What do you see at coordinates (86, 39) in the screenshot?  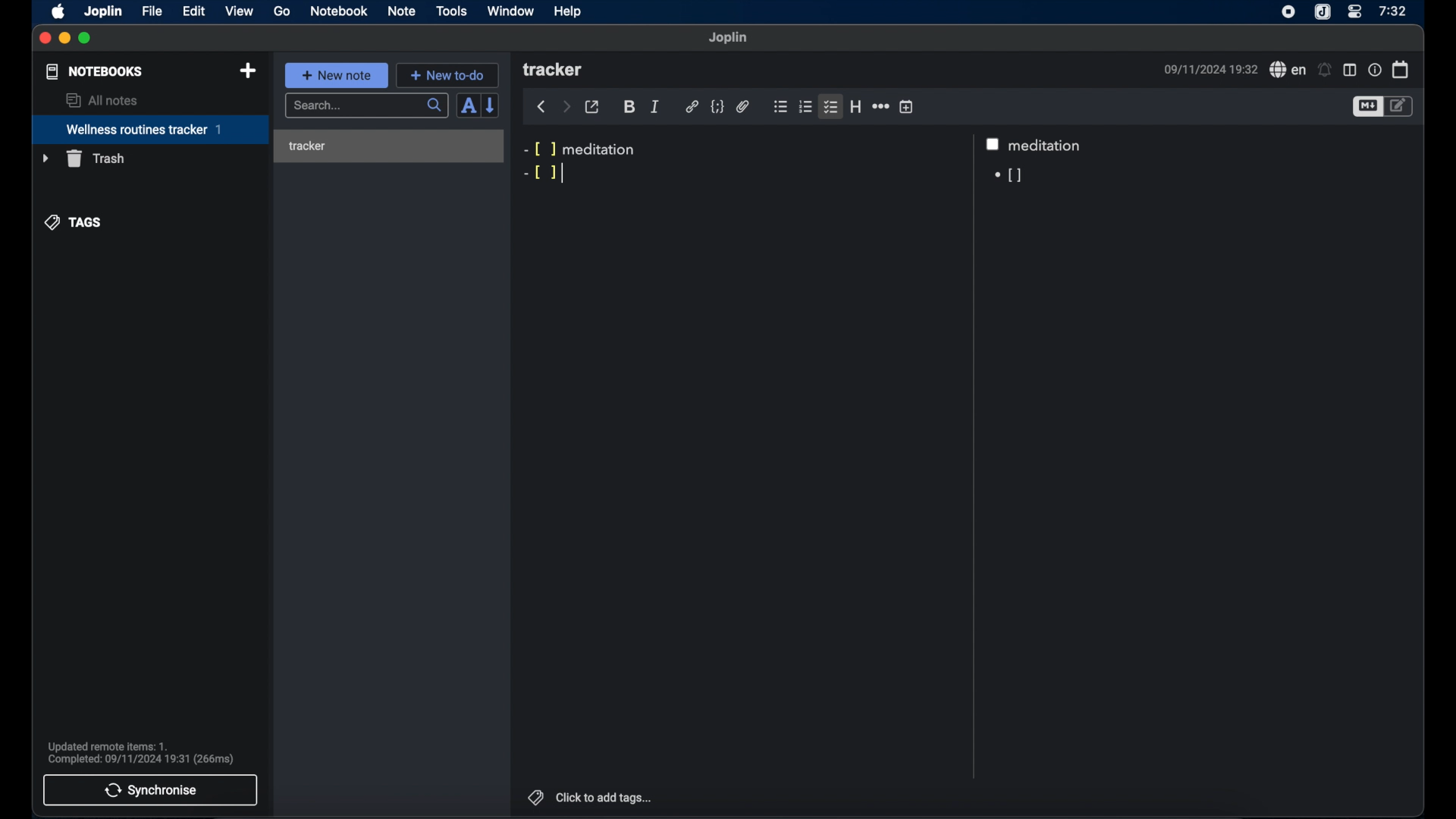 I see `maximize` at bounding box center [86, 39].